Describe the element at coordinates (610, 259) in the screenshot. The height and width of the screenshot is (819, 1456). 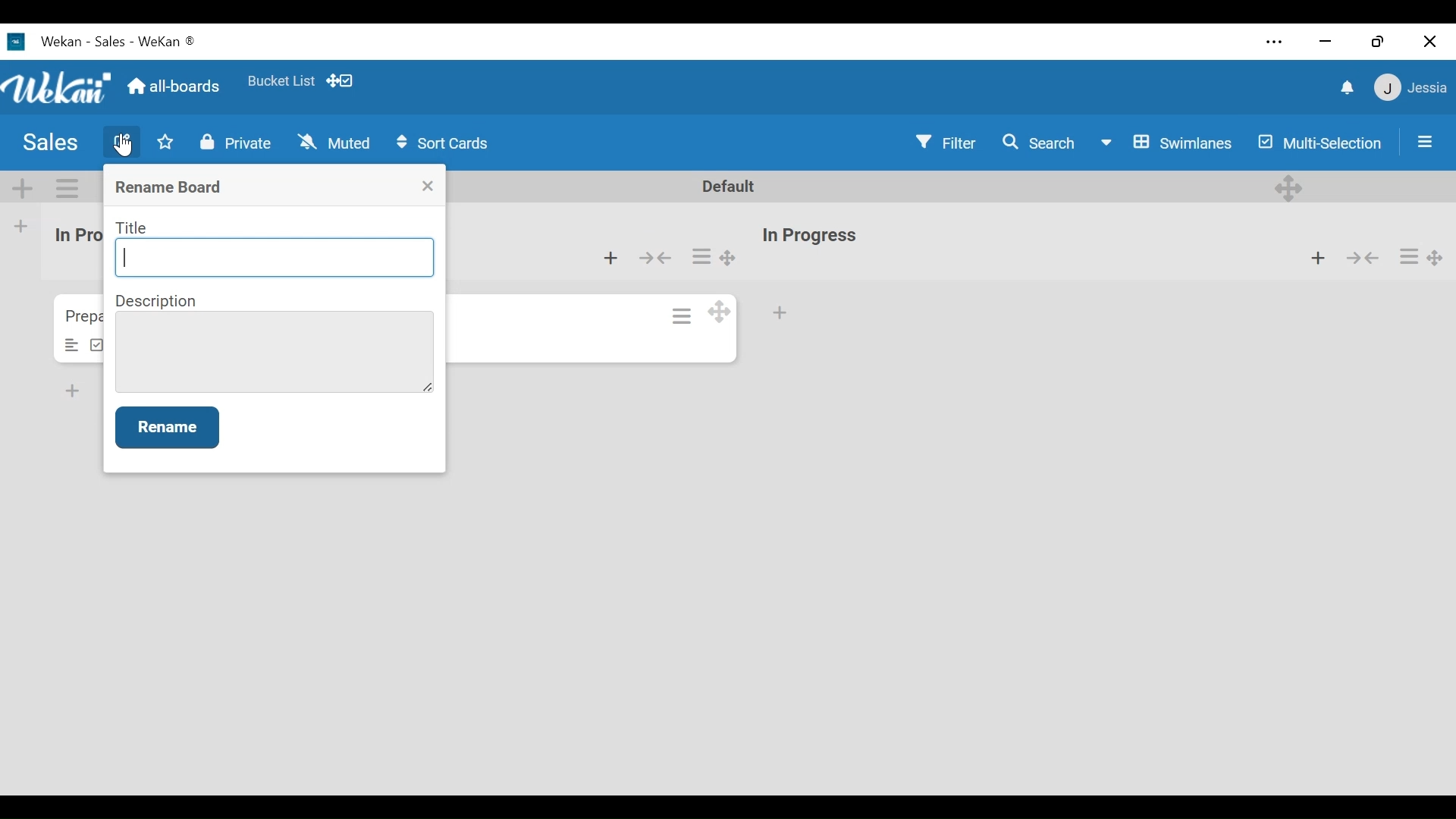
I see `Add card from bottom of the list` at that location.